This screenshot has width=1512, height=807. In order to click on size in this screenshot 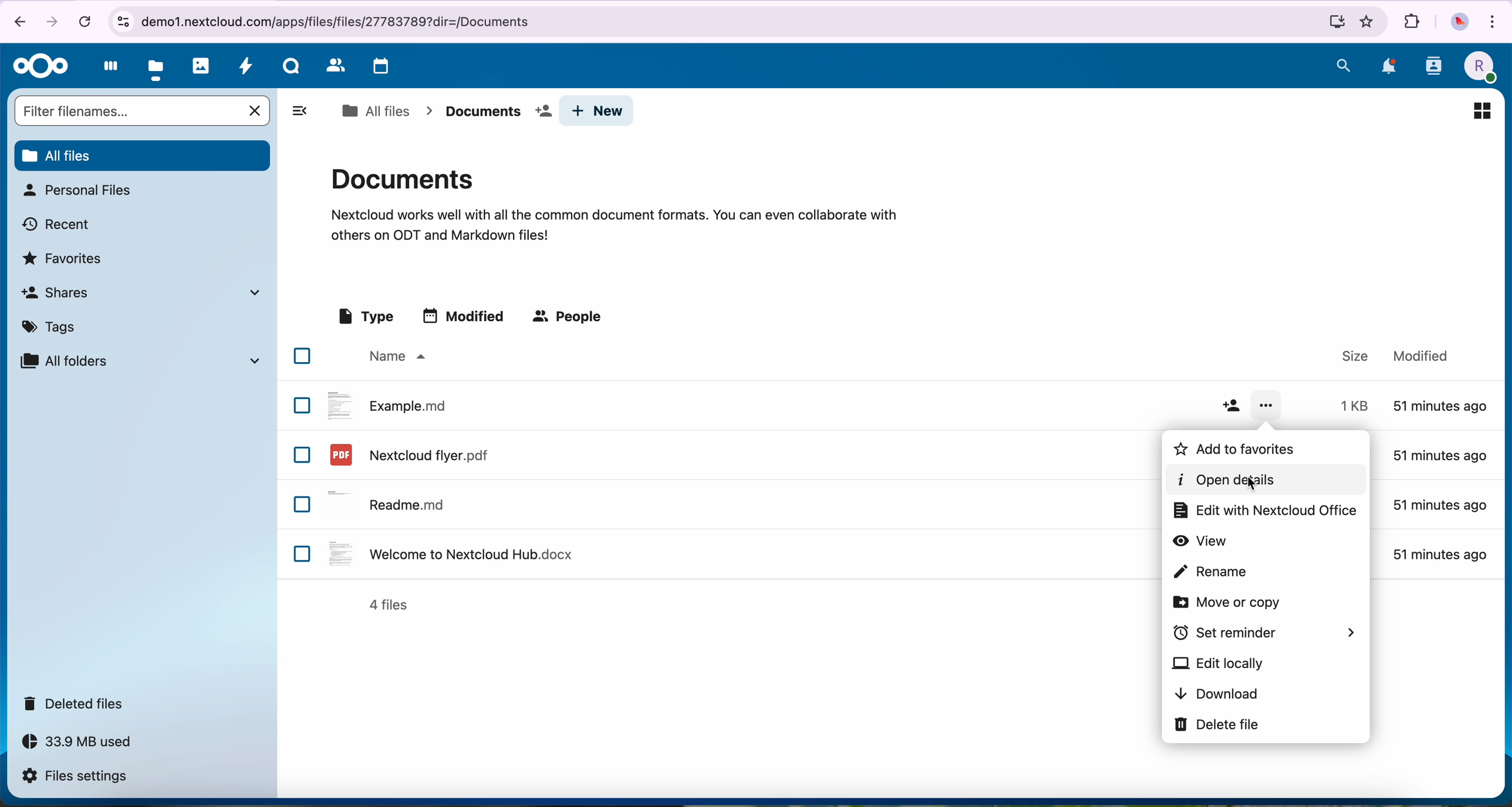, I will do `click(1354, 354)`.